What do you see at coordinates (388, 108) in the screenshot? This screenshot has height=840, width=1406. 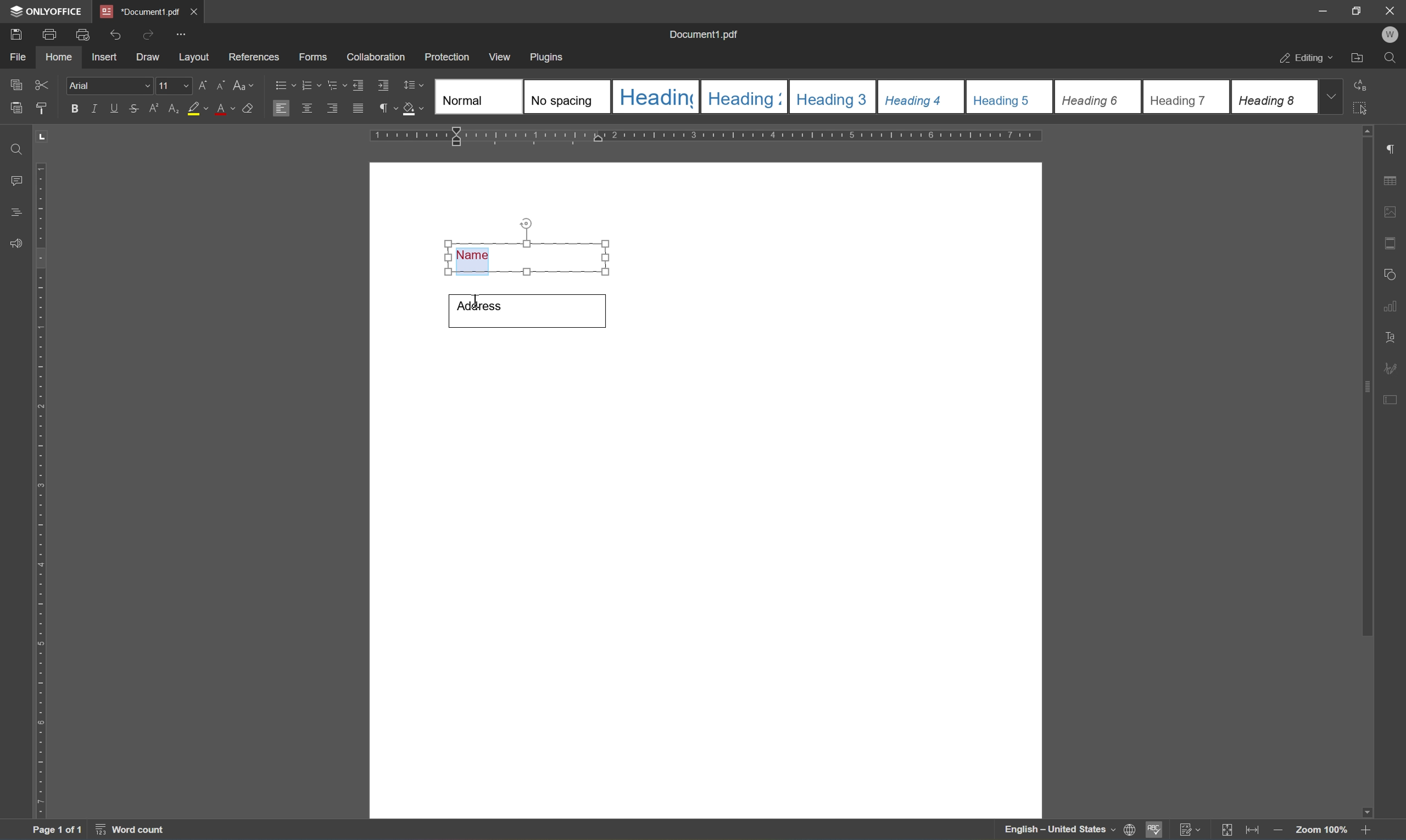 I see `nonprinting characters` at bounding box center [388, 108].